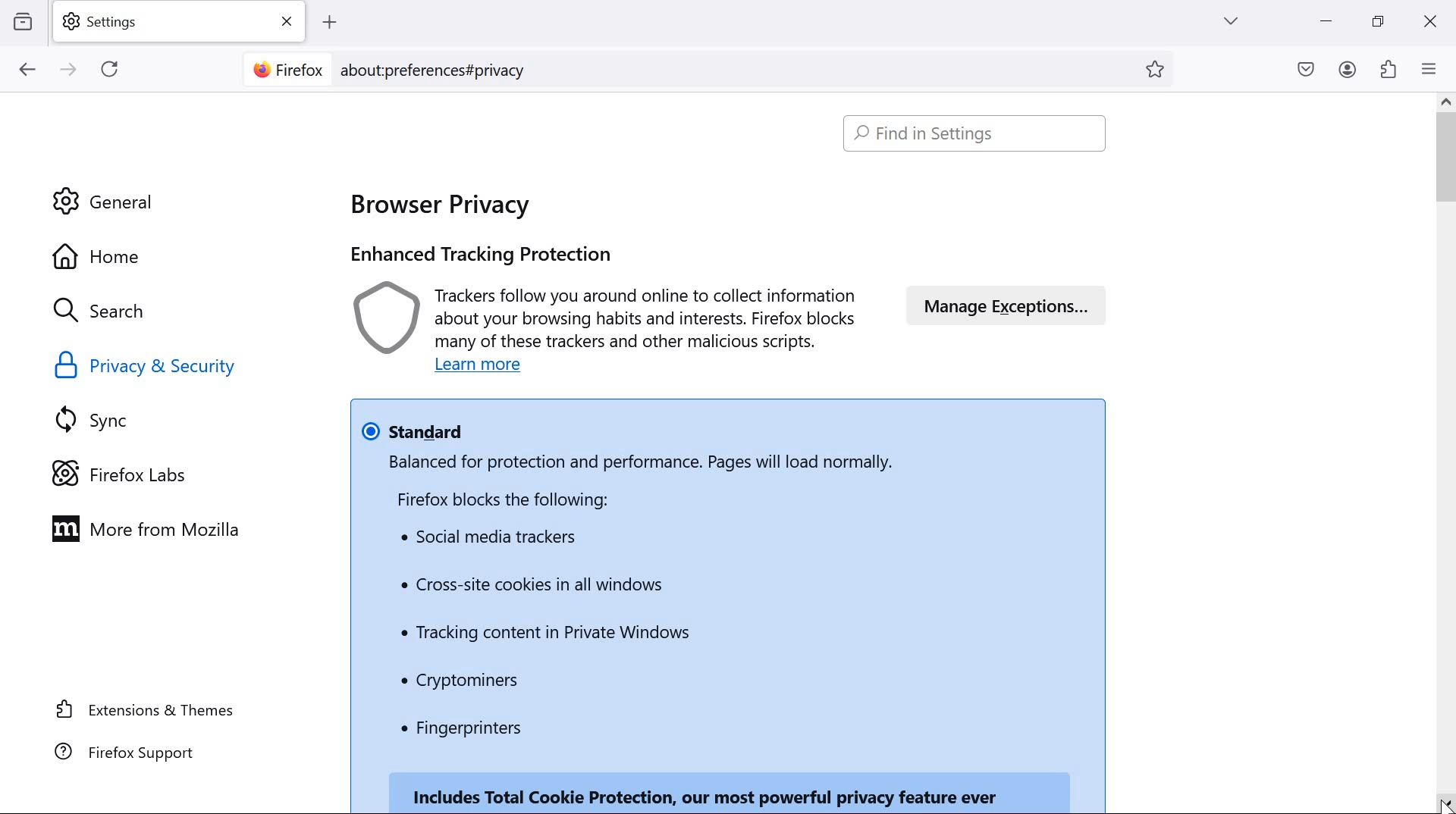 This screenshot has width=1456, height=814. What do you see at coordinates (1348, 70) in the screenshot?
I see `account` at bounding box center [1348, 70].